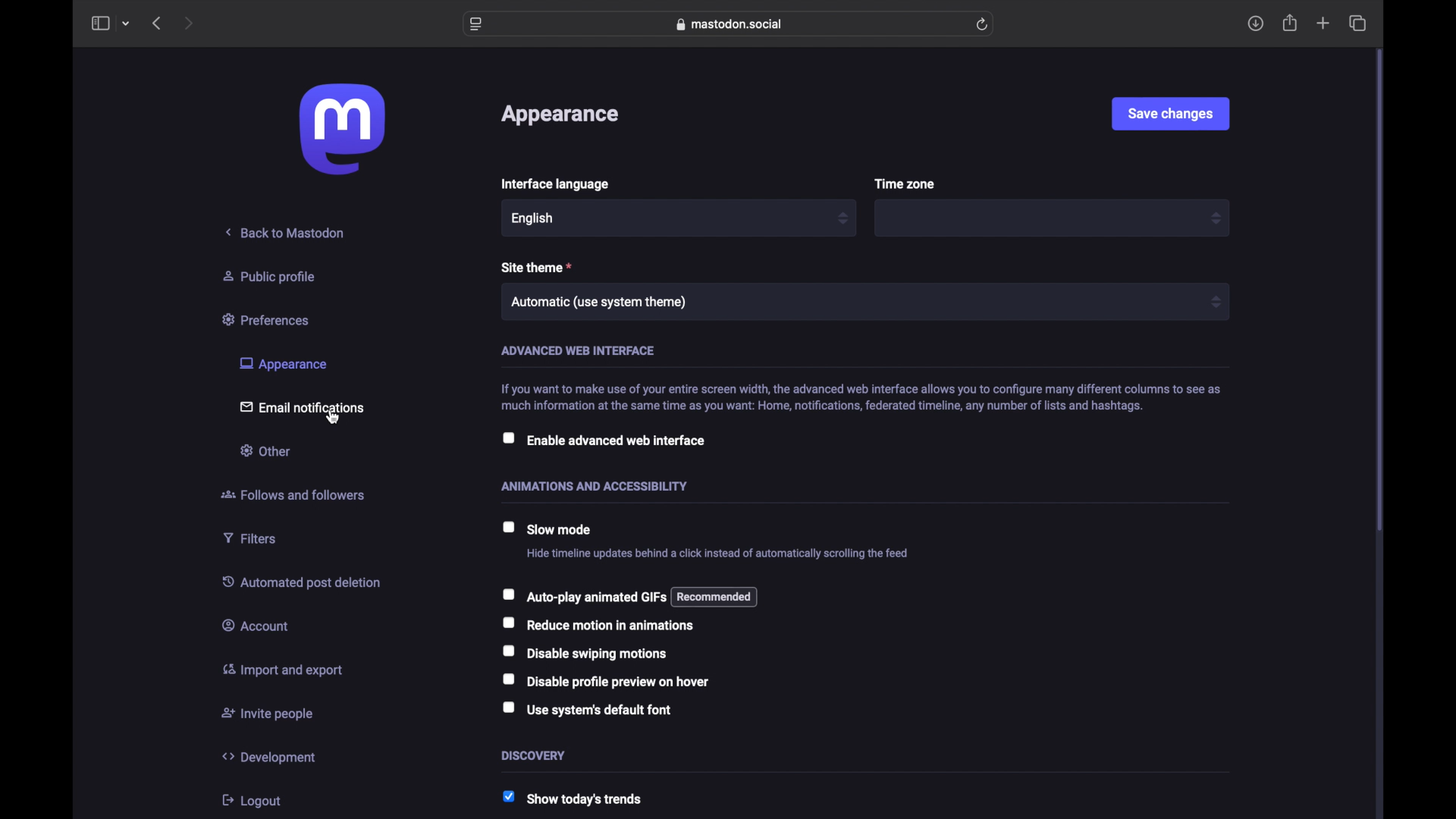  Describe the element at coordinates (602, 440) in the screenshot. I see `checkbox` at that location.